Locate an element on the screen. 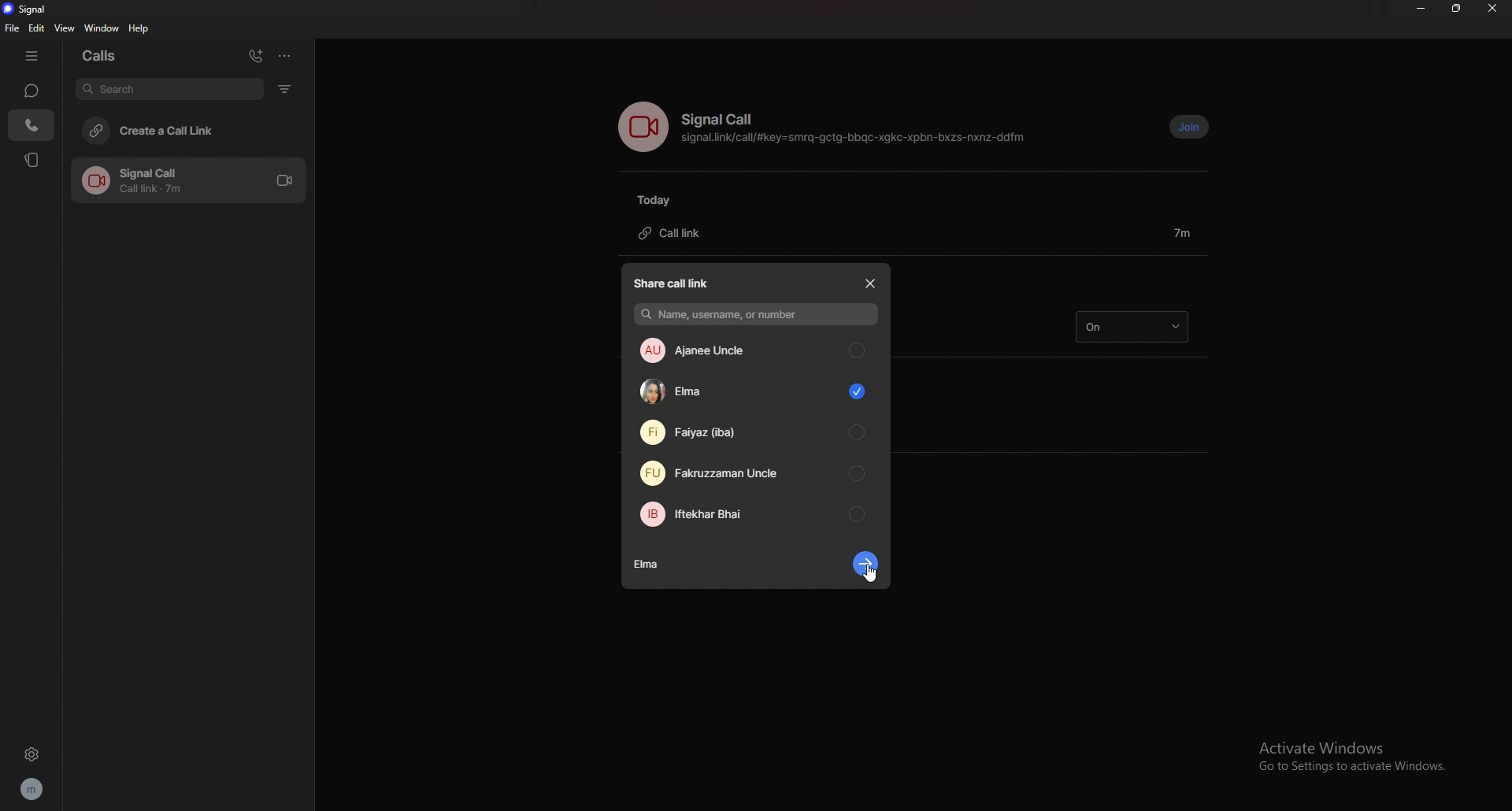 Image resolution: width=1512 pixels, height=811 pixels. help is located at coordinates (139, 30).